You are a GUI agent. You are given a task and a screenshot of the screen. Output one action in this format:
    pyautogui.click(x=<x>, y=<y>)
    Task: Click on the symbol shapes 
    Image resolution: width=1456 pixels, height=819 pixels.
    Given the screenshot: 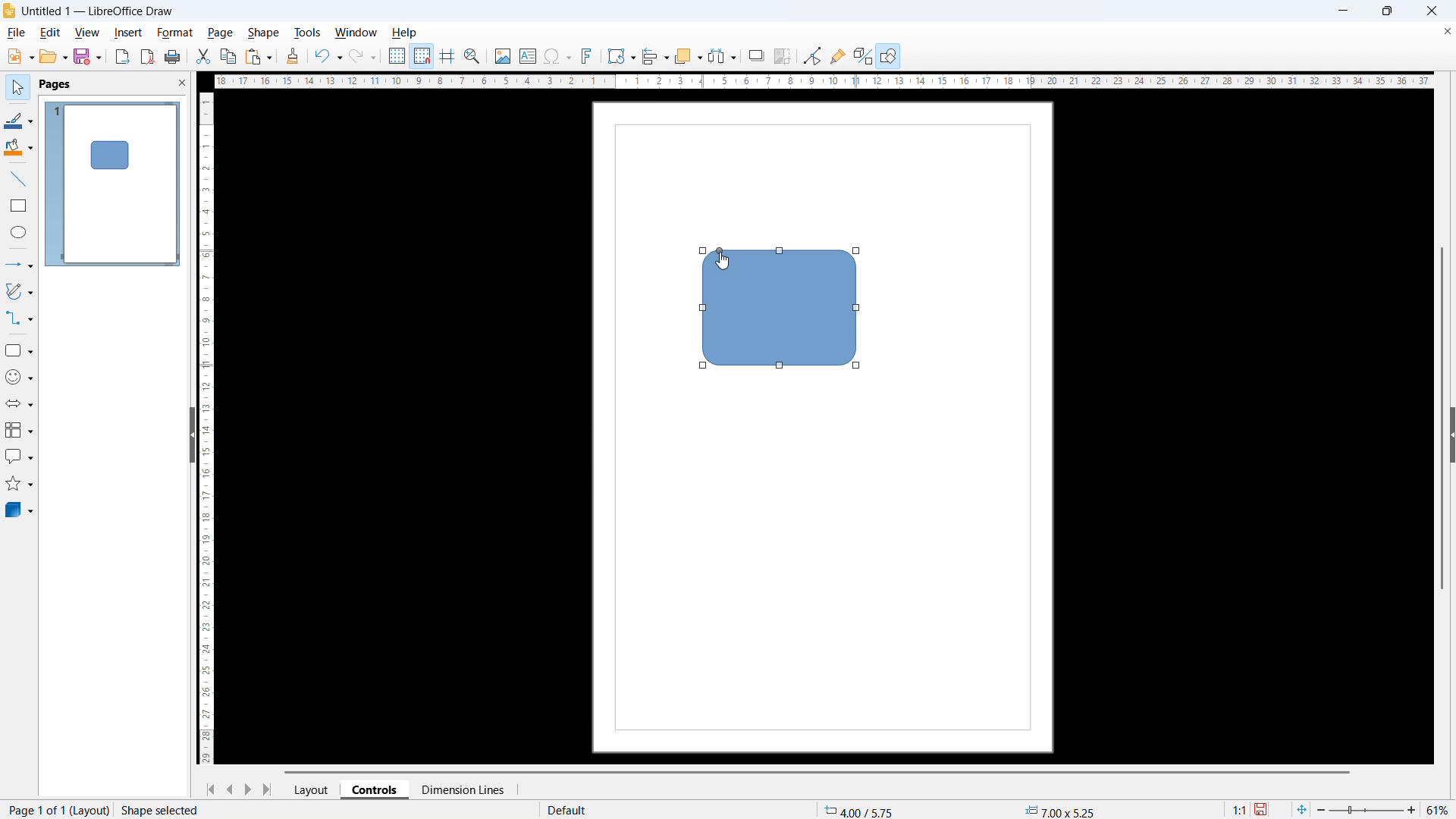 What is the action you would take?
    pyautogui.click(x=18, y=378)
    